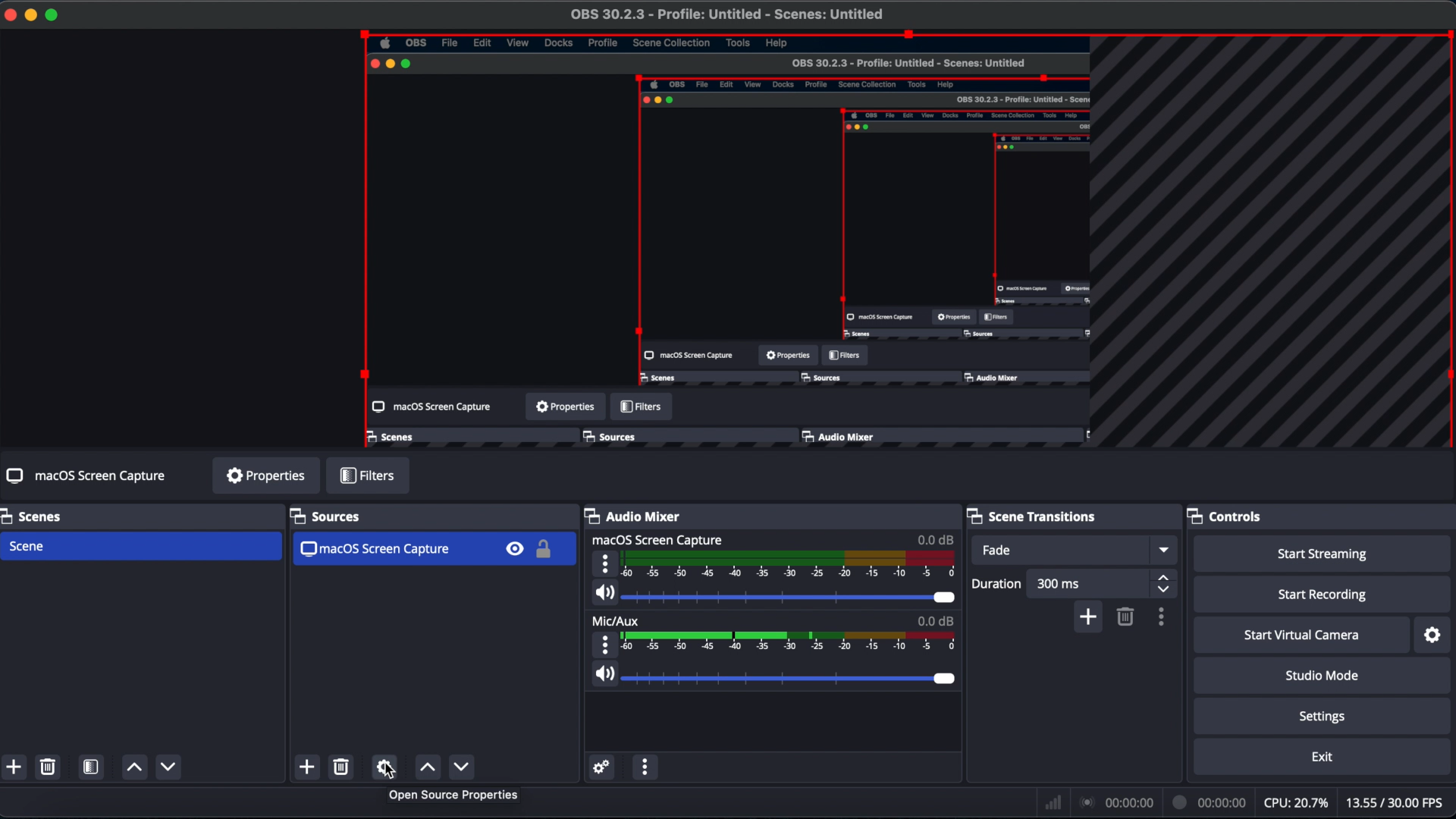  Describe the element at coordinates (936, 539) in the screenshot. I see `0.0 dB` at that location.